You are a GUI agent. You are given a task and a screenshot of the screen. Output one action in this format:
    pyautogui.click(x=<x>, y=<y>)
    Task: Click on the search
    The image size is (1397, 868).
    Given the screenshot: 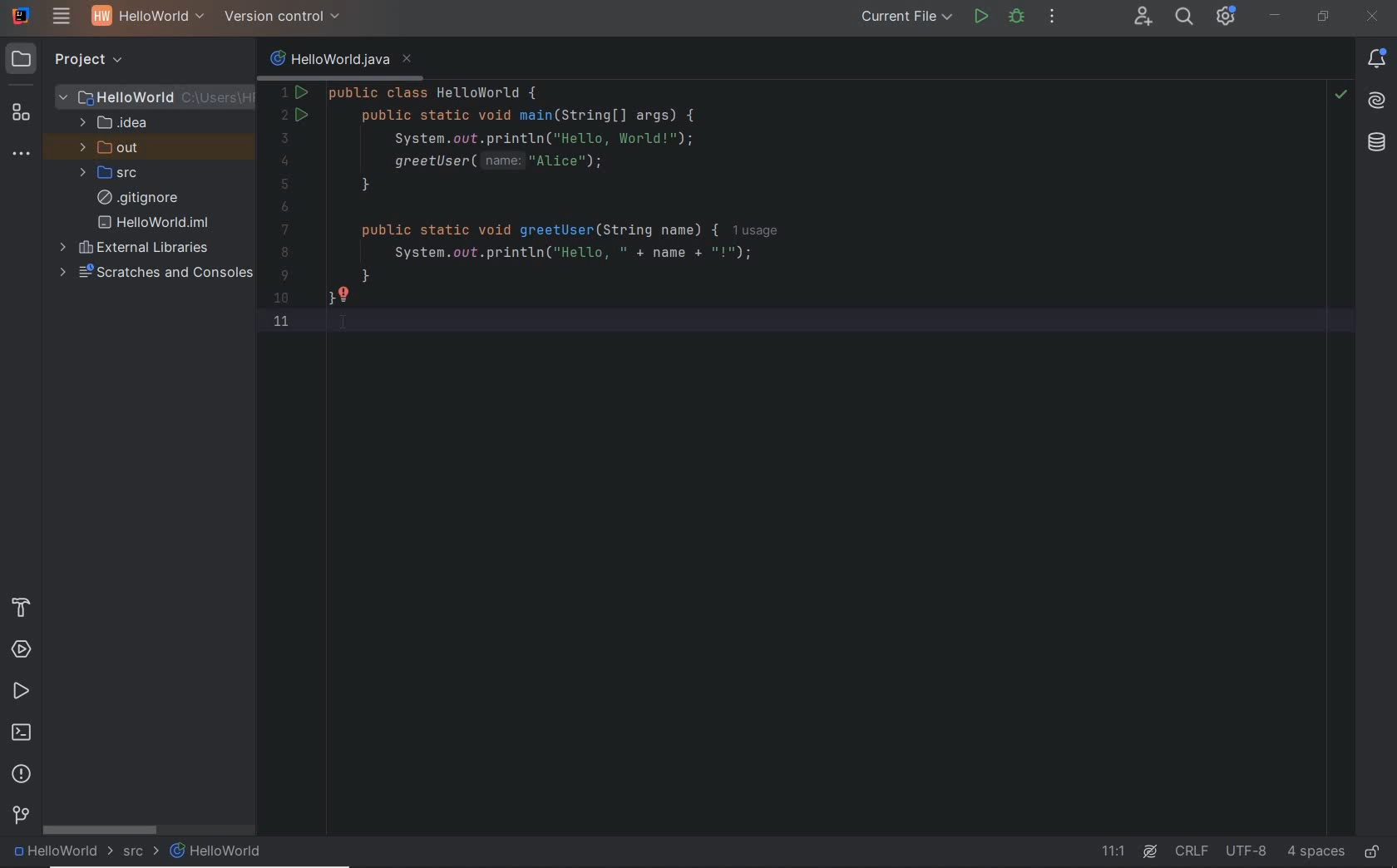 What is the action you would take?
    pyautogui.click(x=1186, y=17)
    